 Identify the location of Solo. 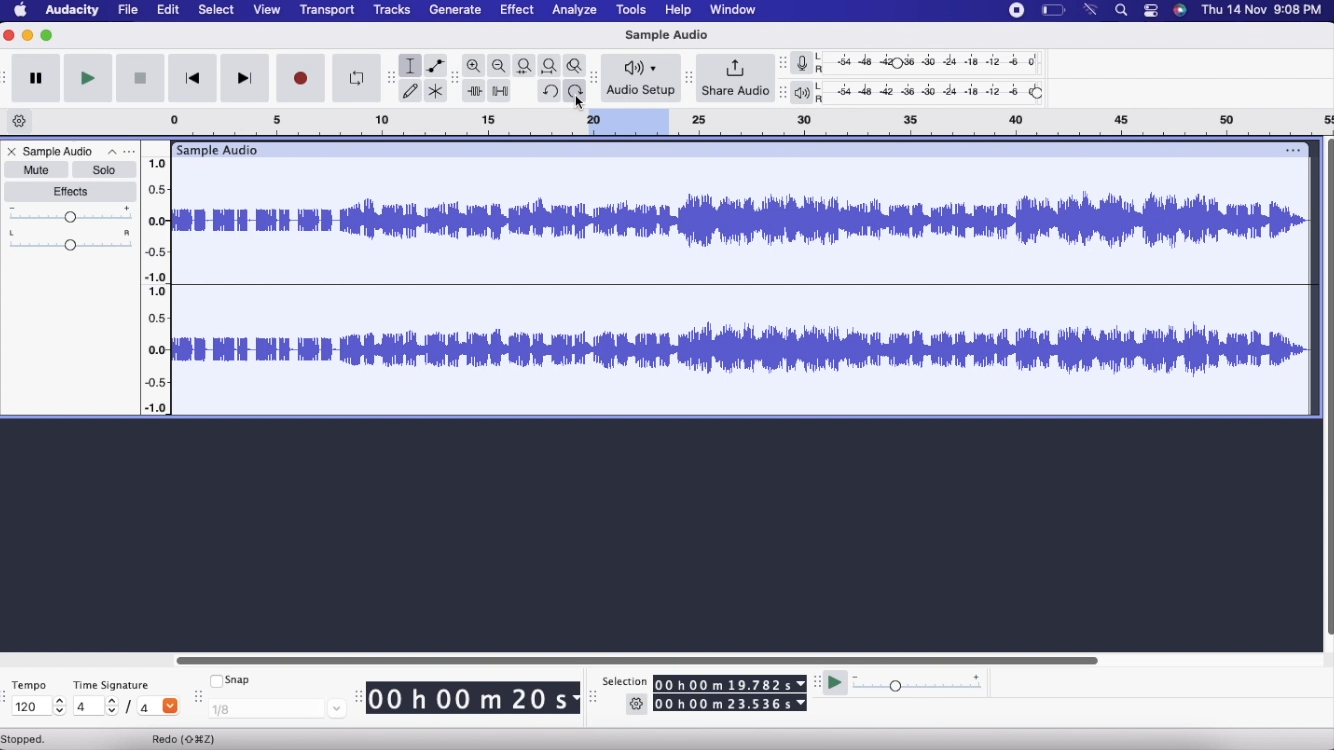
(105, 170).